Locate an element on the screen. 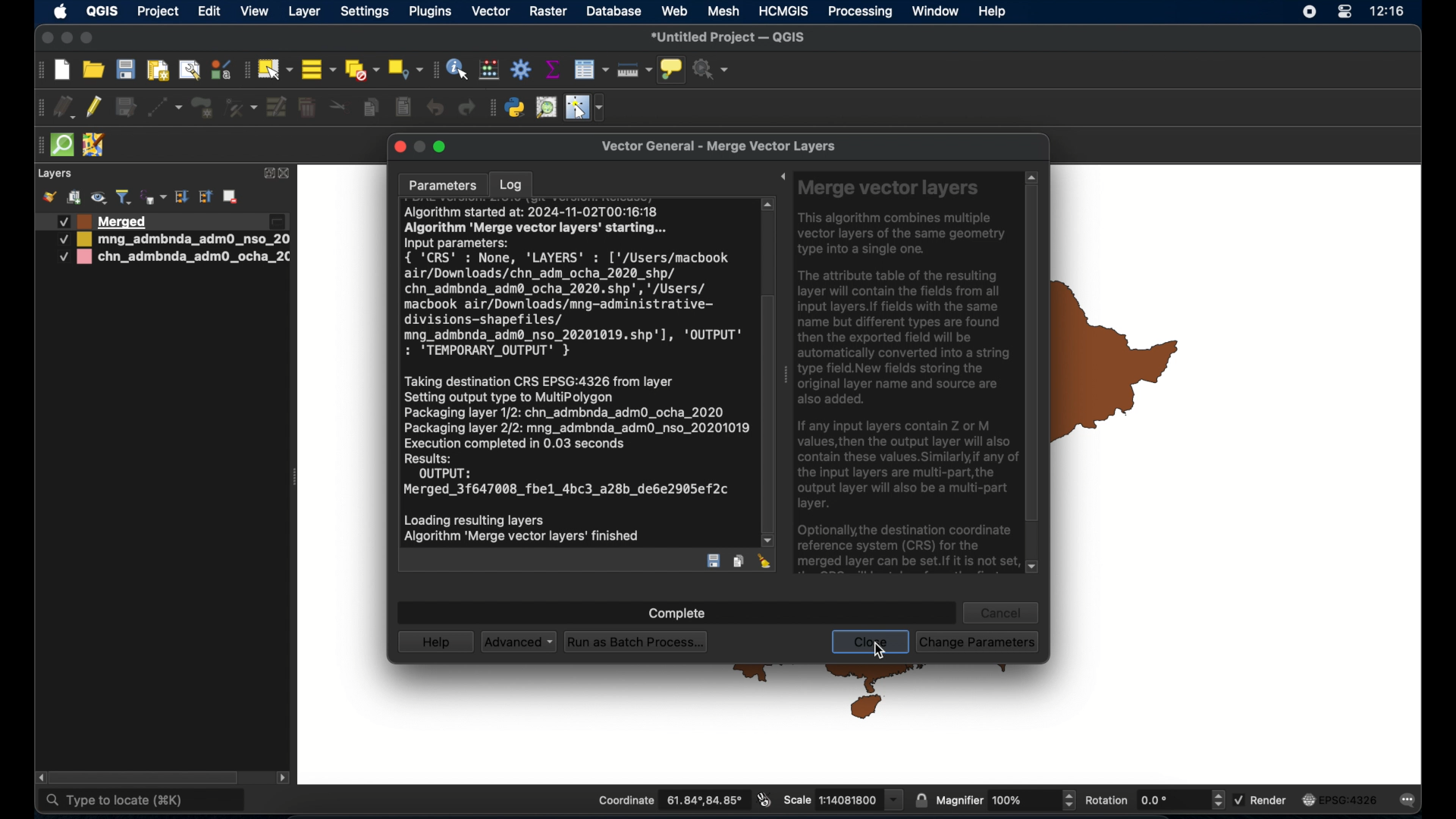  Merge vector layers

This algorithm combines multiple
vector layers of the same geometry
type into a single one.

The attribute table of the resulting
layer will contain the fields from all
input layers. If fields with the same
name but different types are found
then the exported field will be
automatically converted into a string
type field.New fields storing the
original layer name and source are
also added.

If any input layers contain Z or M
values, then the output layer will also
contain these values. Similarly,if any of
the input layers are multi-part,the
output layer will also be a multi-part
layer.

Optionally, the destination coordinate
reference system (CRS) for the
merged layer can be set.If it is not set is located at coordinates (908, 374).